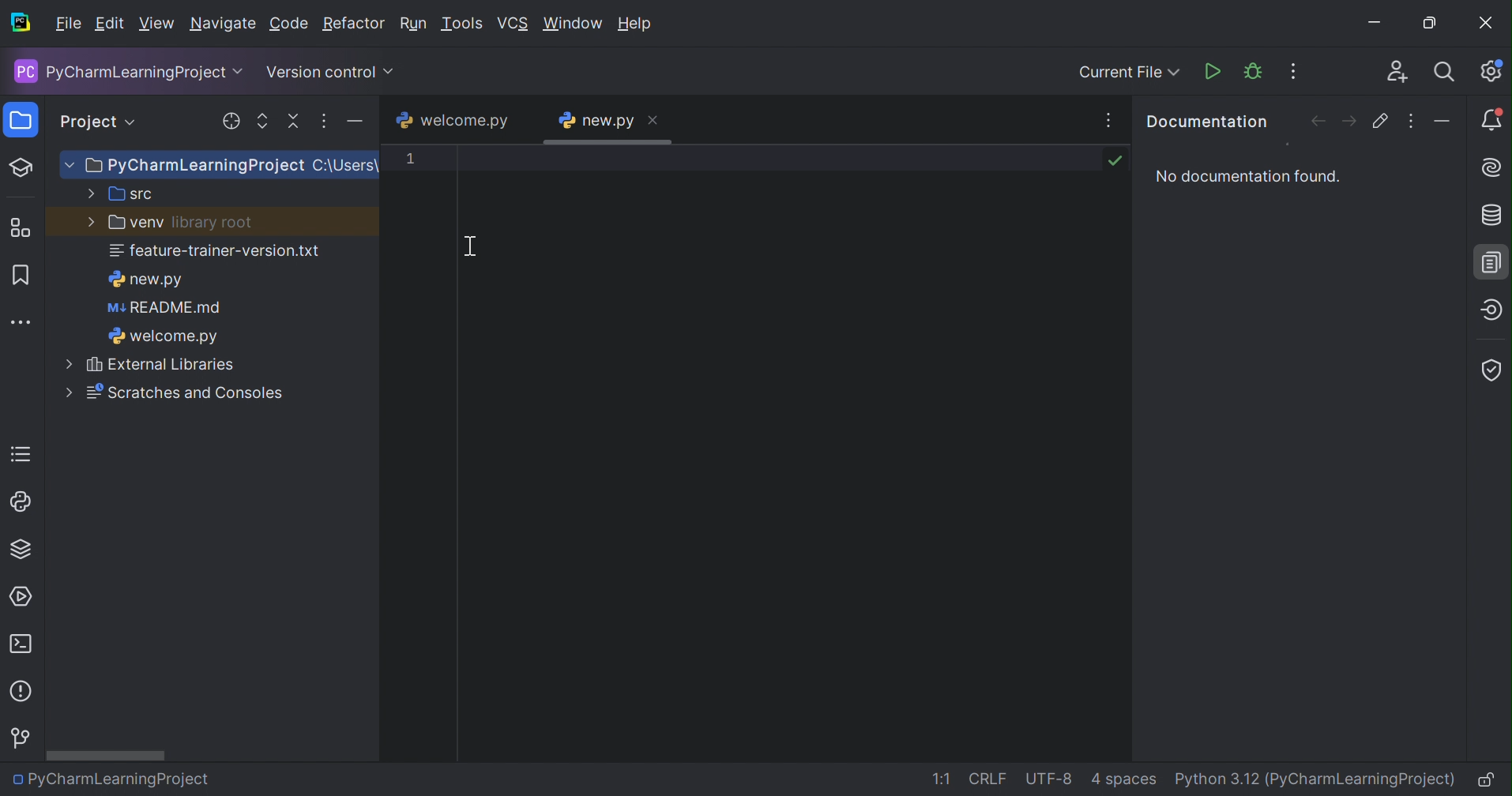 The image size is (1512, 796). I want to click on Code With Me, so click(1397, 71).